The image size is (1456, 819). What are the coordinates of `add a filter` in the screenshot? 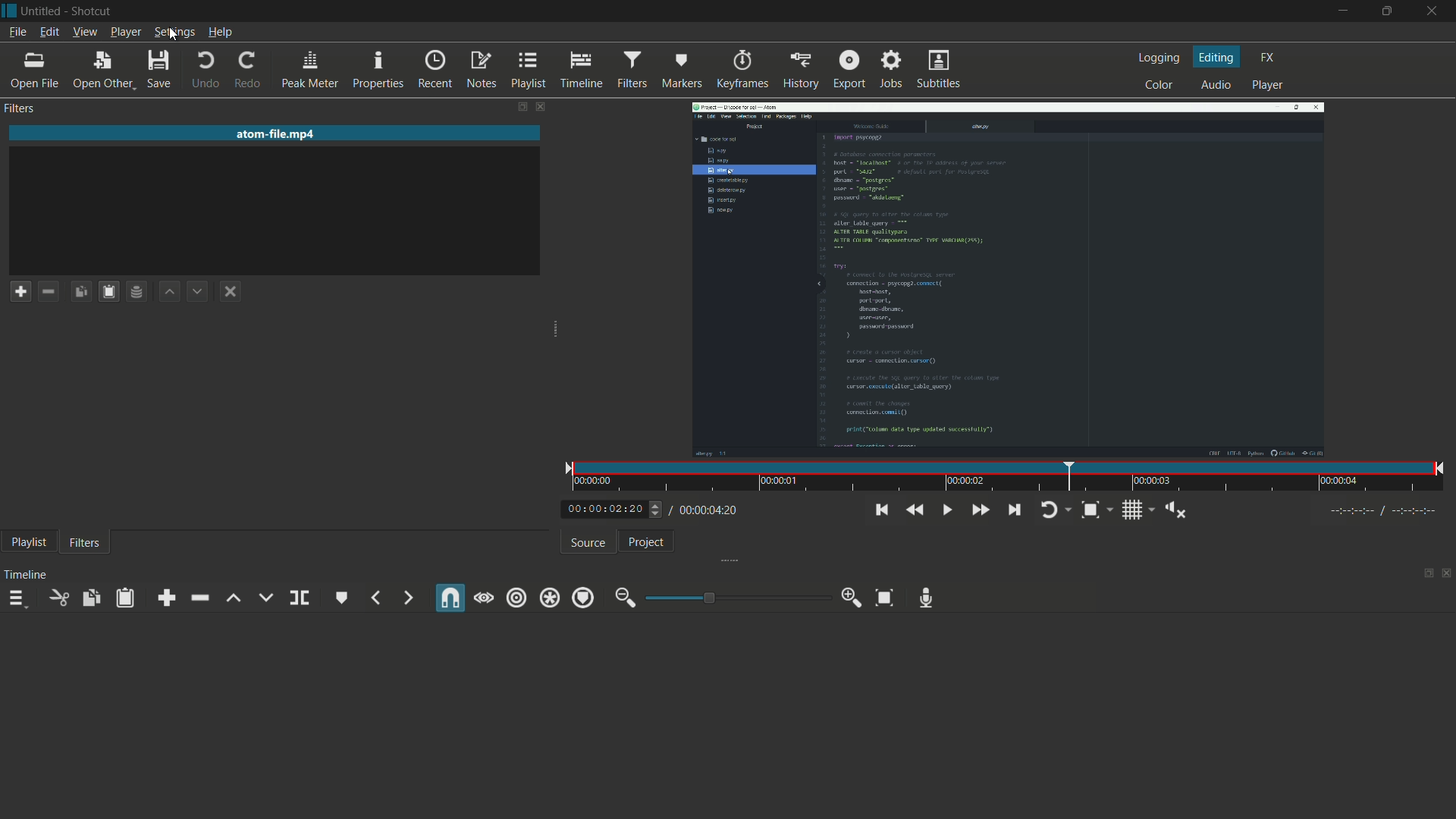 It's located at (20, 292).